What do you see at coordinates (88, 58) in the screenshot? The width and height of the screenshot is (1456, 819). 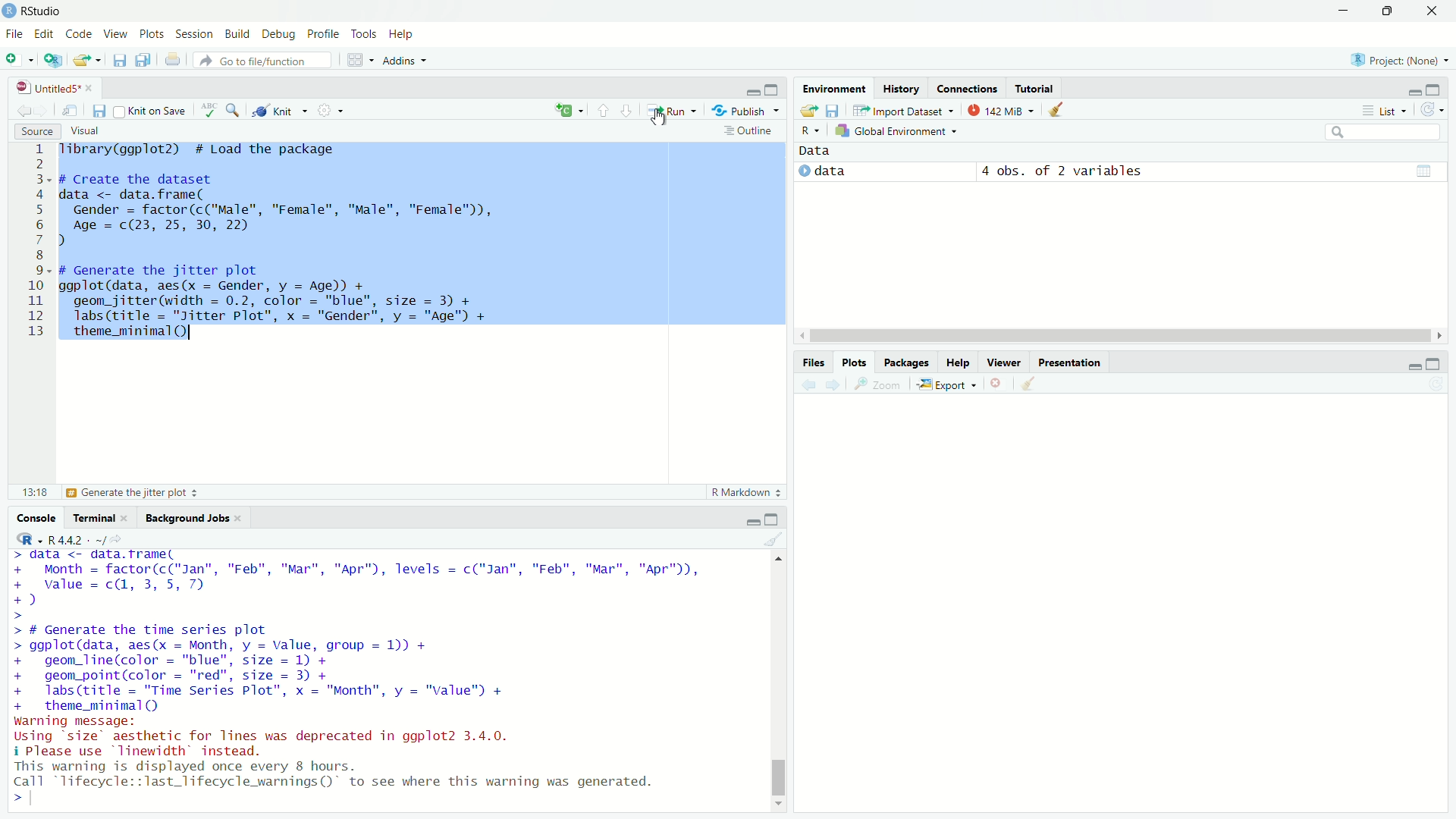 I see `open an existing file` at bounding box center [88, 58].